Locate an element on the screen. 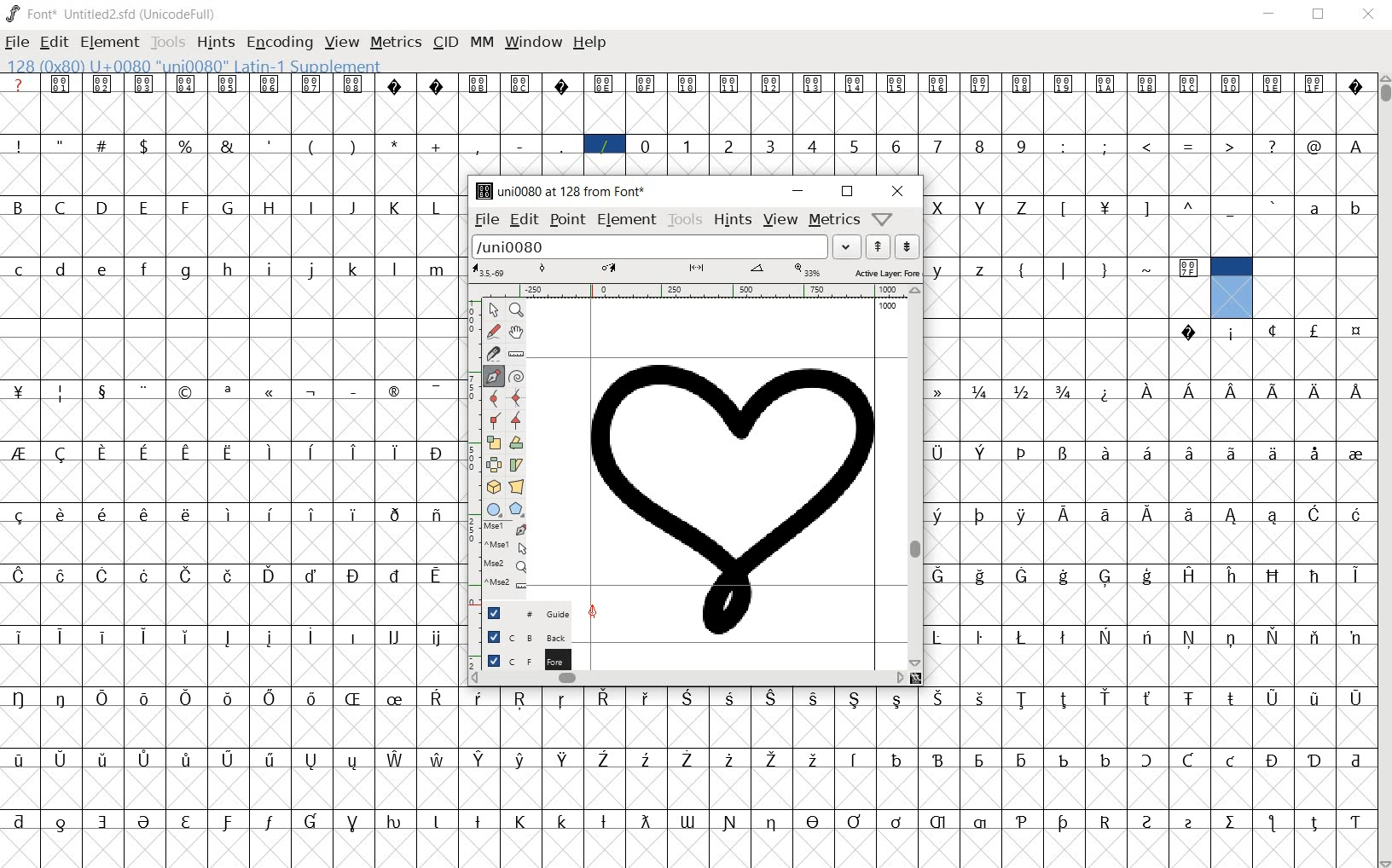  glyph is located at coordinates (1064, 454).